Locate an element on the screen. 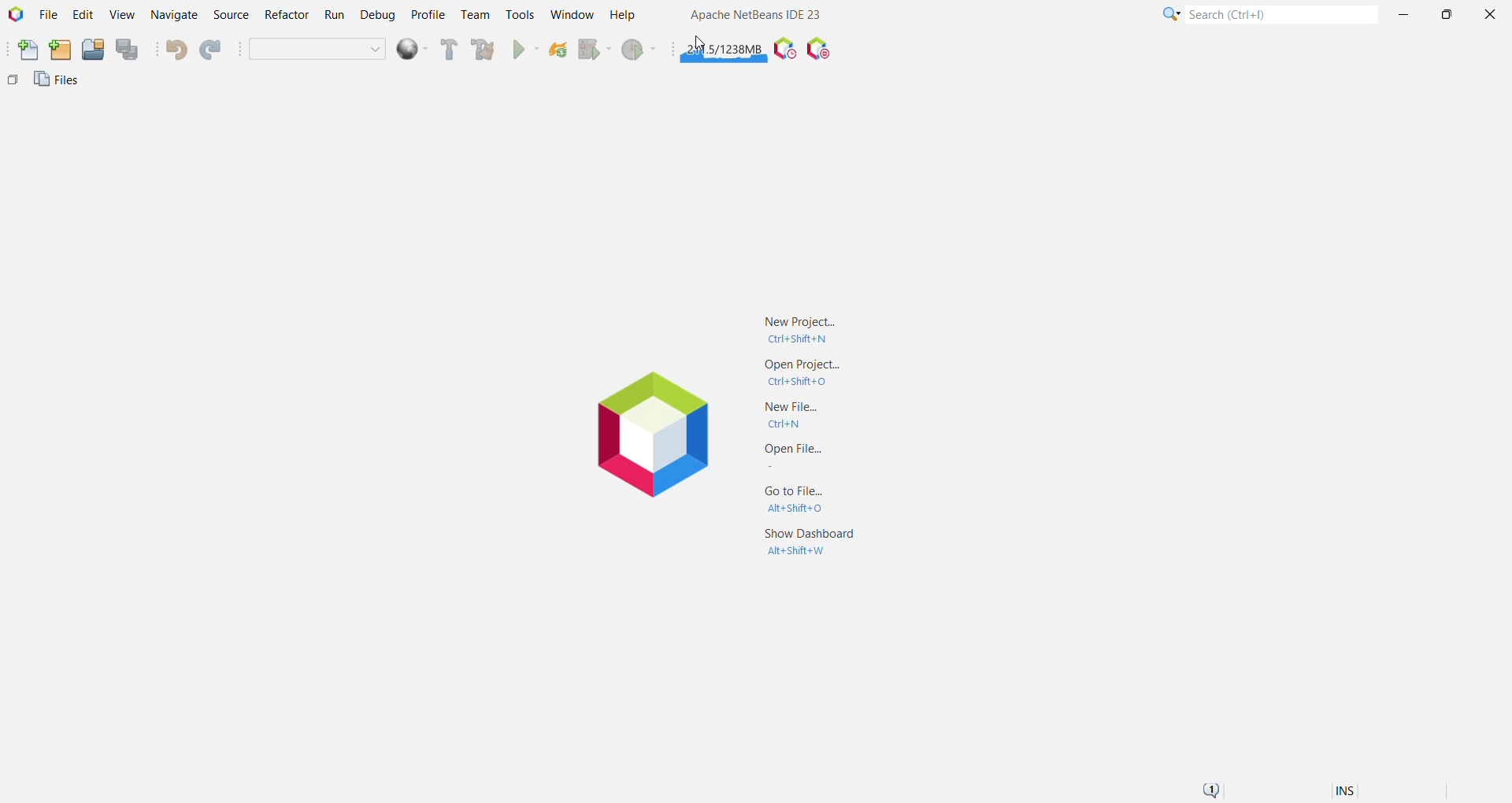 This screenshot has width=1512, height=803. Maximize is located at coordinates (1449, 13).